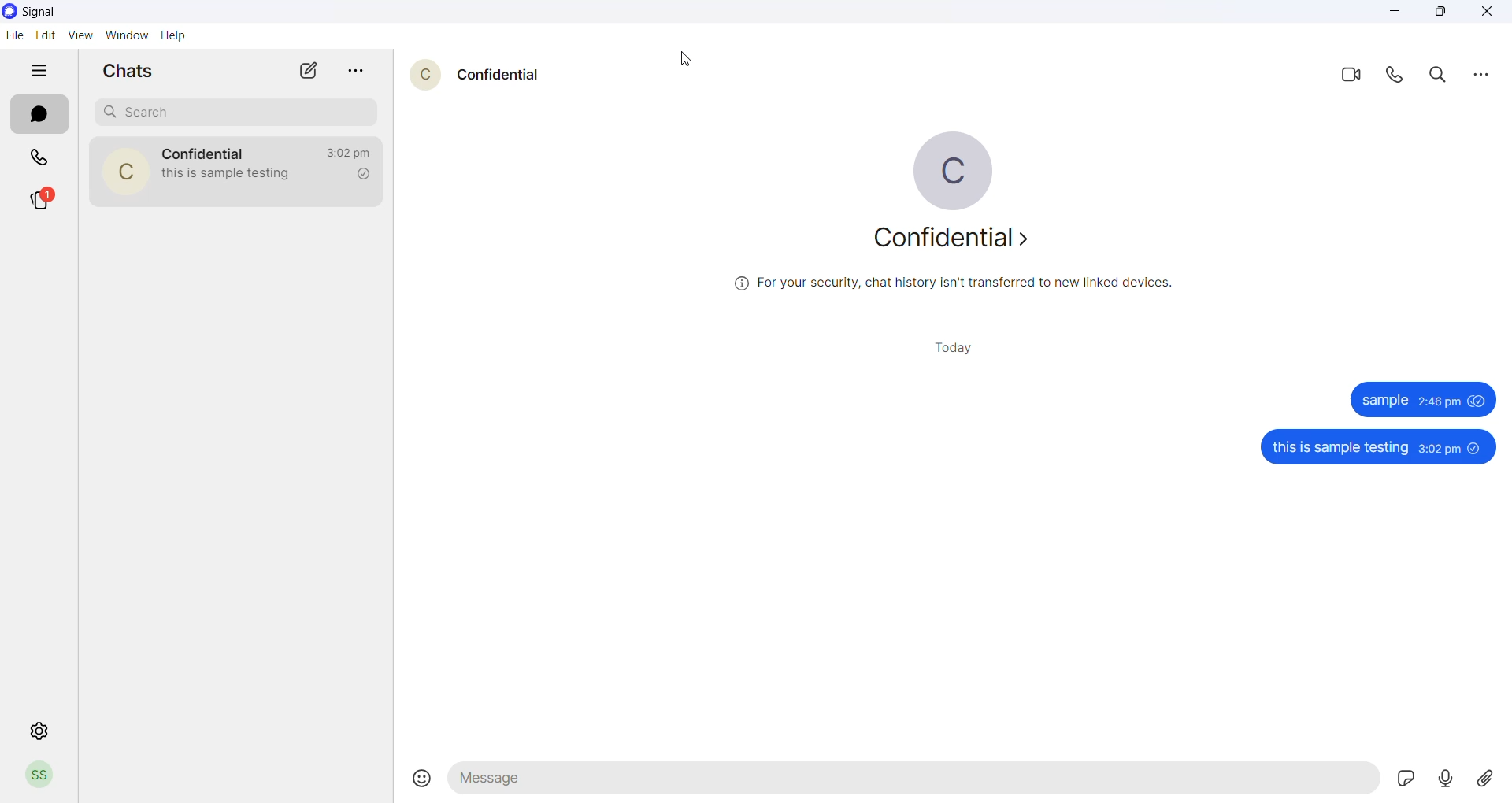 The width and height of the screenshot is (1512, 803). What do you see at coordinates (1481, 76) in the screenshot?
I see `more options` at bounding box center [1481, 76].